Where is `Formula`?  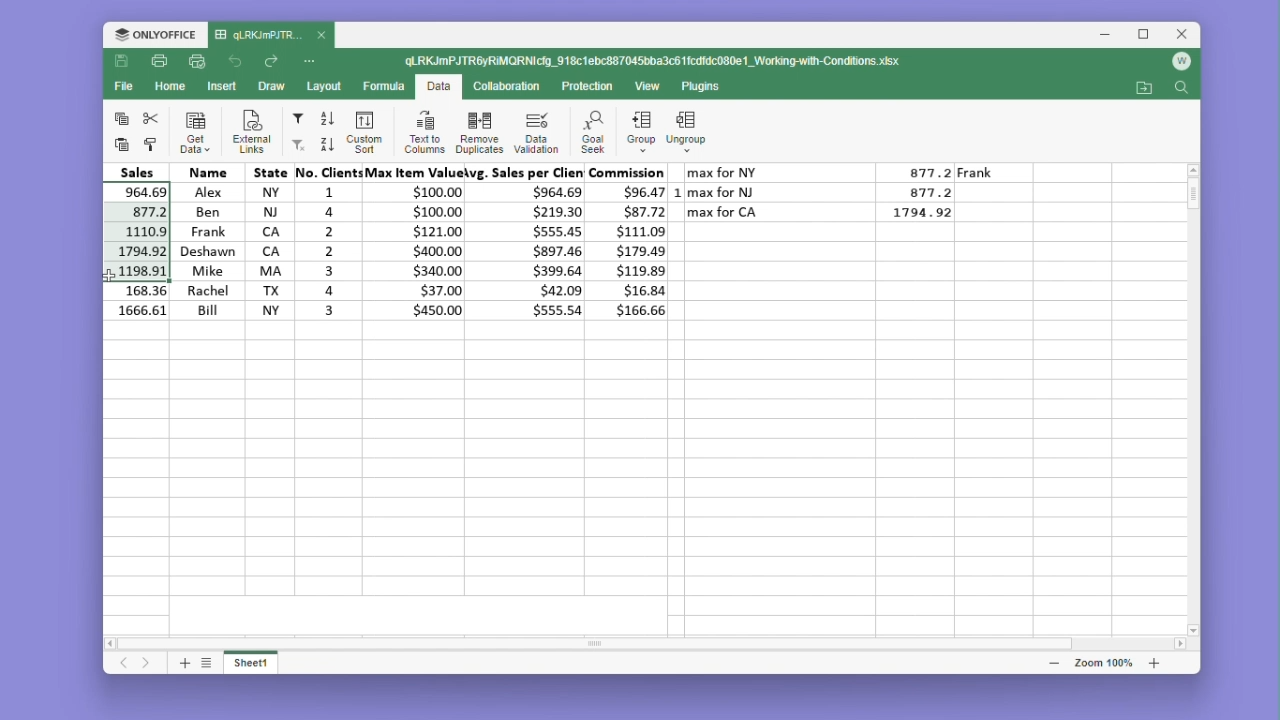
Formula is located at coordinates (385, 85).